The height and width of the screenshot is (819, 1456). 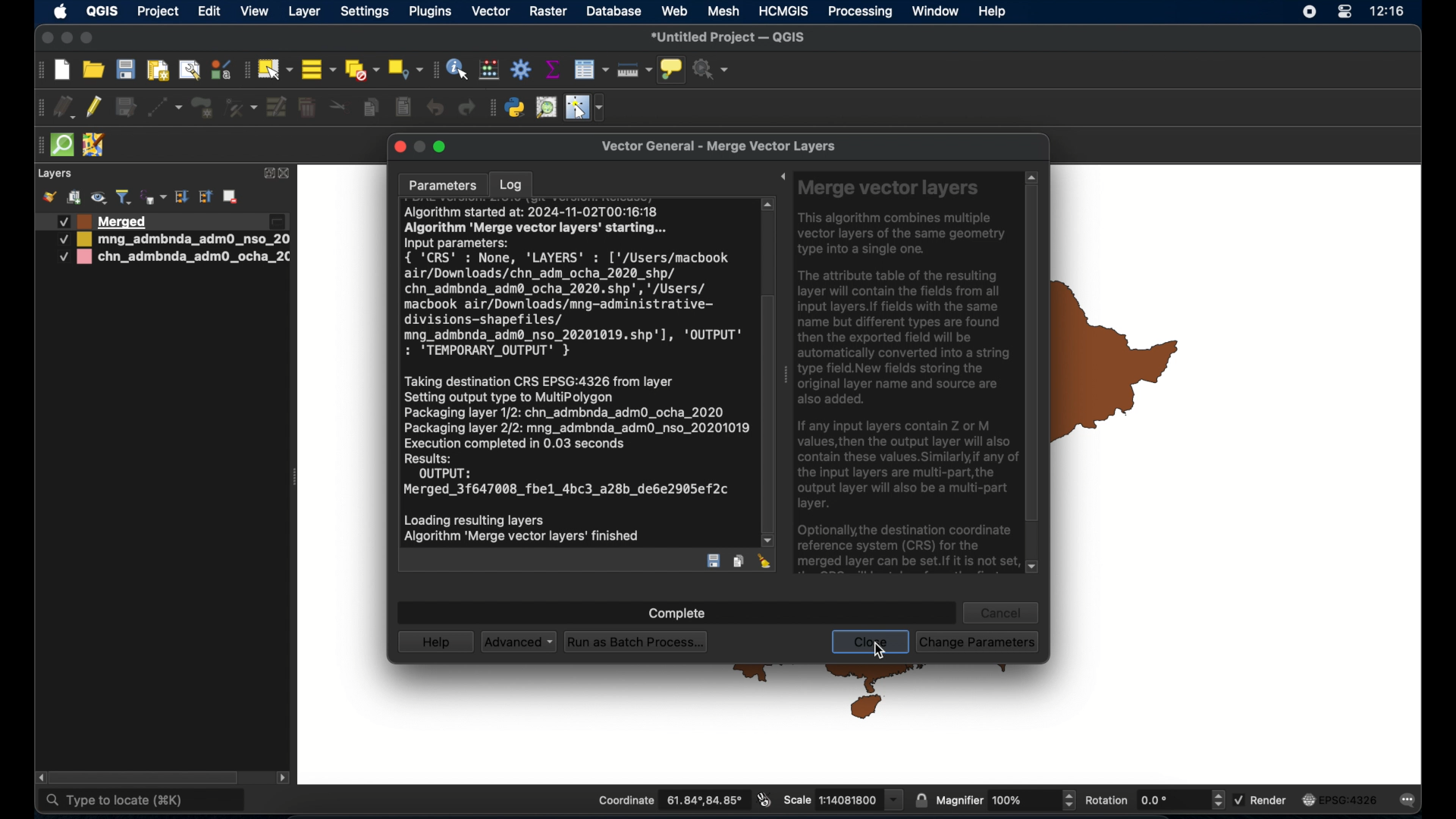 What do you see at coordinates (724, 11) in the screenshot?
I see `mesh` at bounding box center [724, 11].